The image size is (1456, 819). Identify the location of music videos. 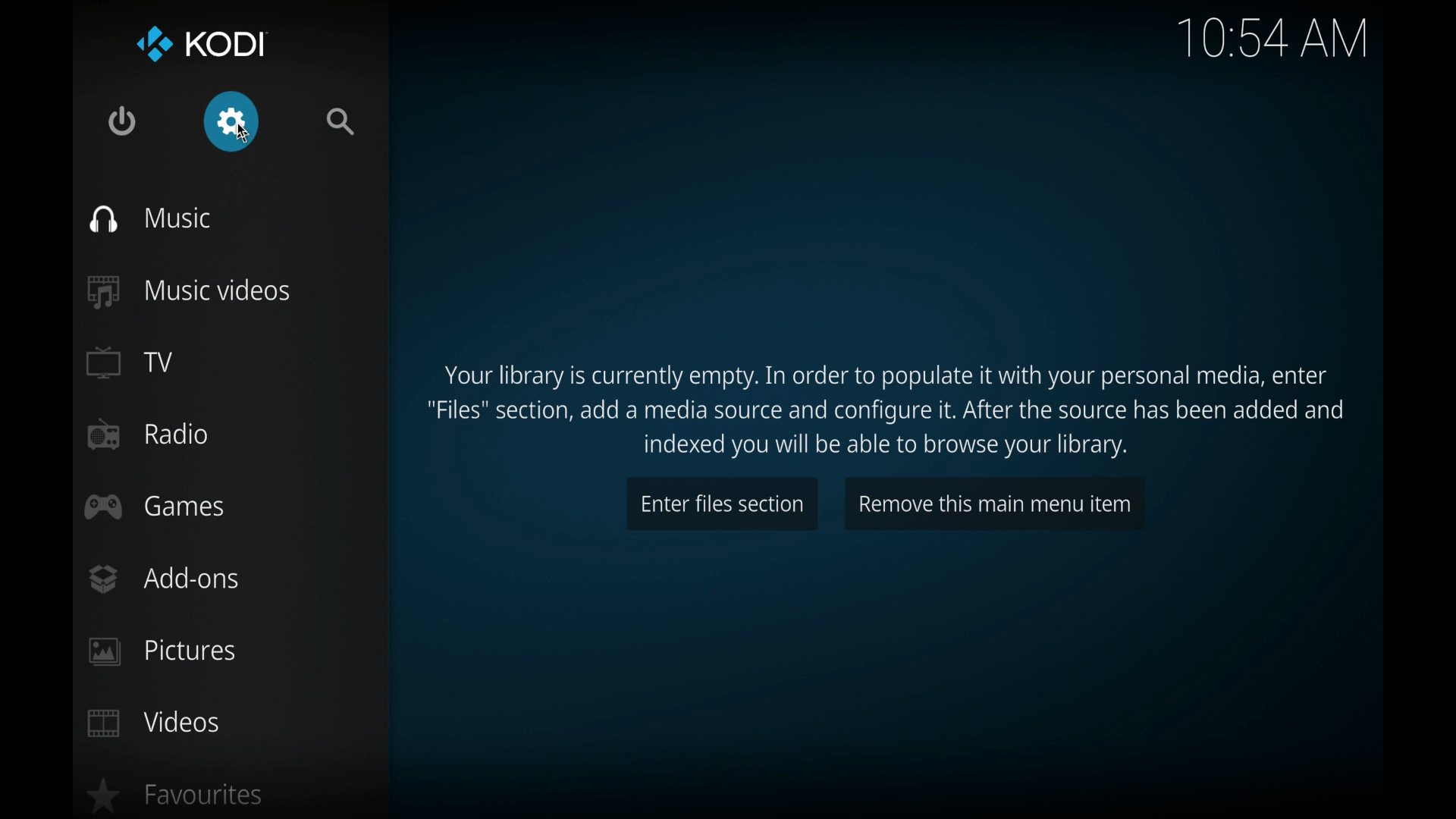
(190, 292).